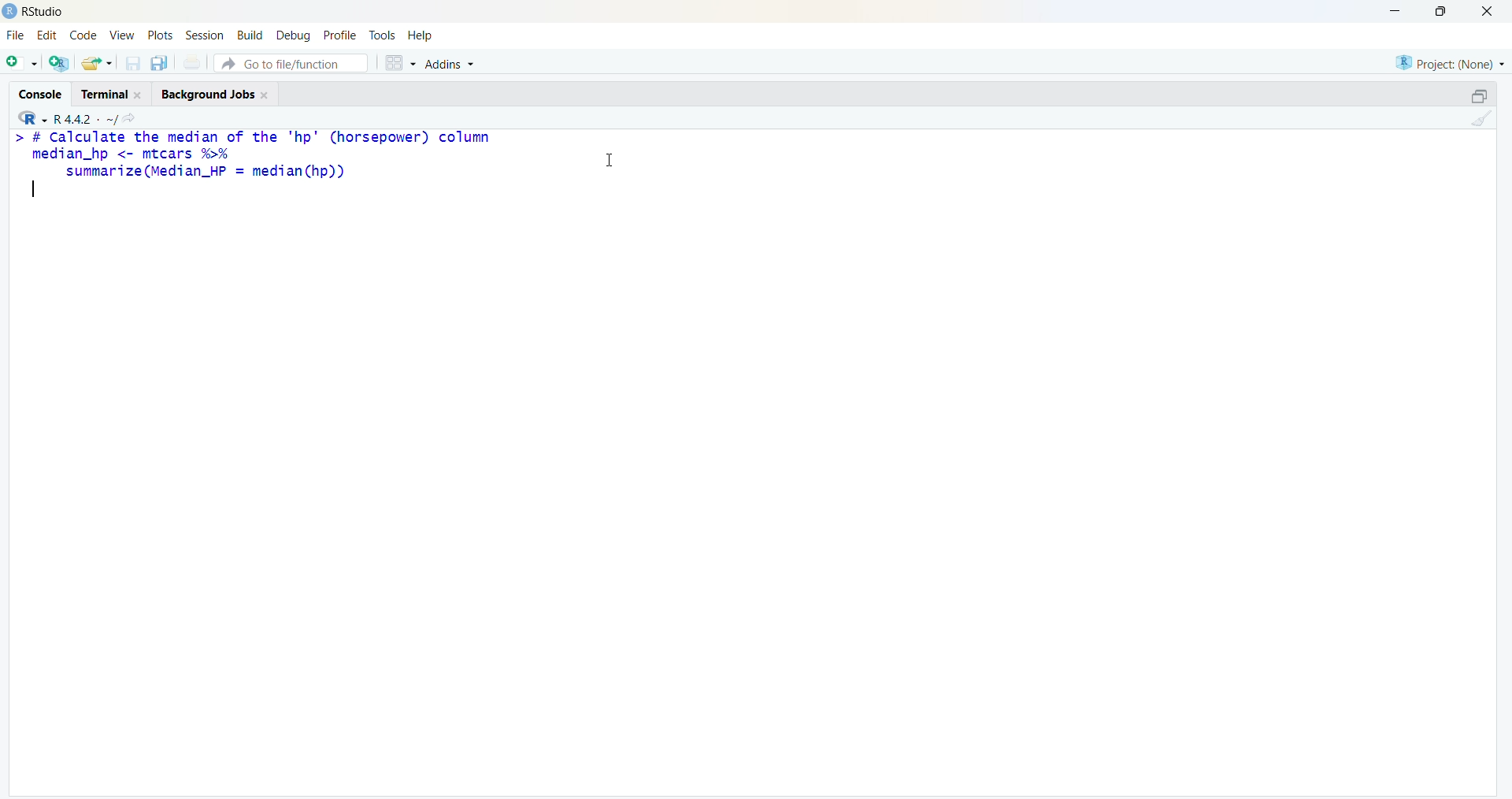  What do you see at coordinates (422, 36) in the screenshot?
I see `help` at bounding box center [422, 36].